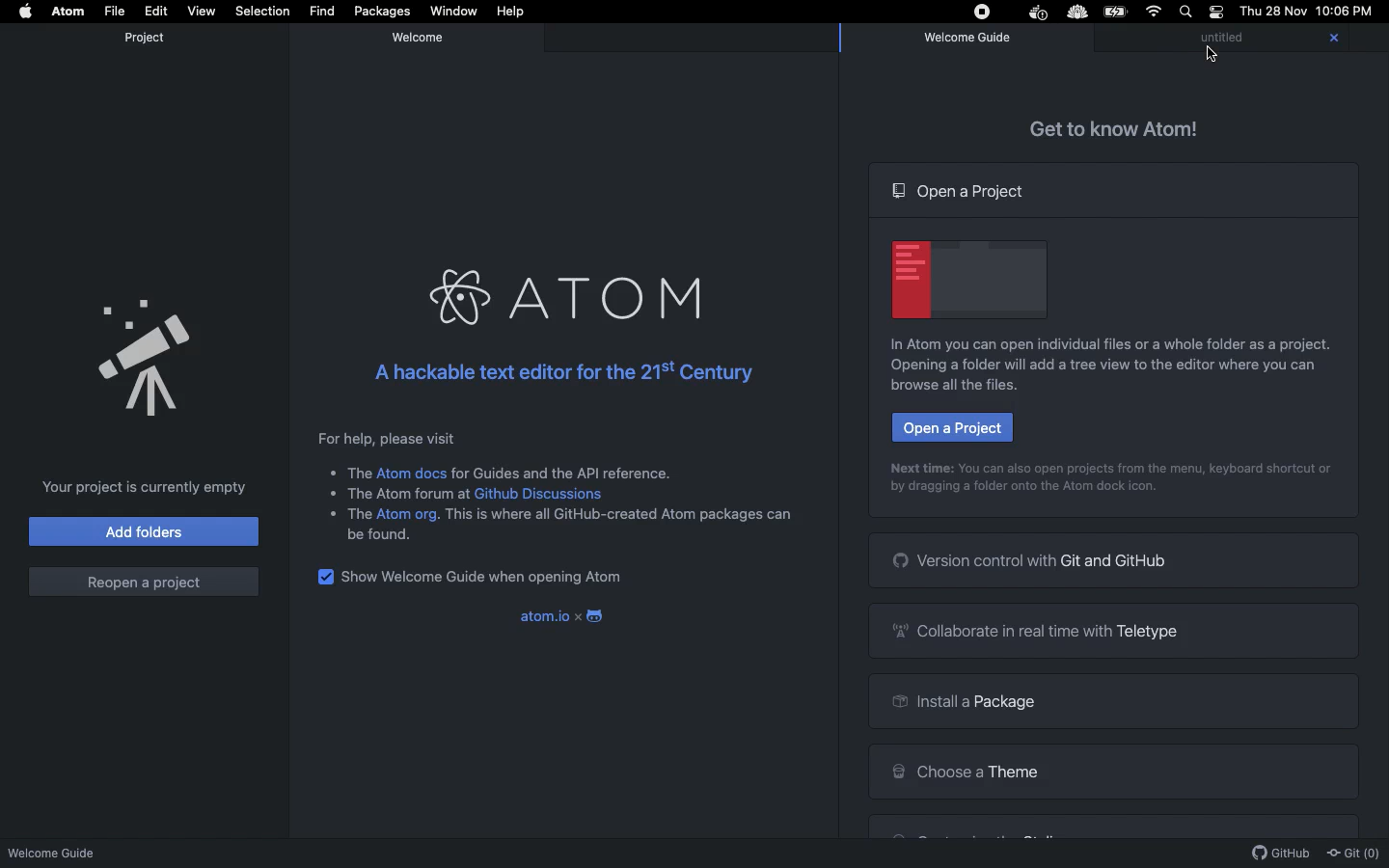 The image size is (1389, 868). I want to click on Text, so click(346, 514).